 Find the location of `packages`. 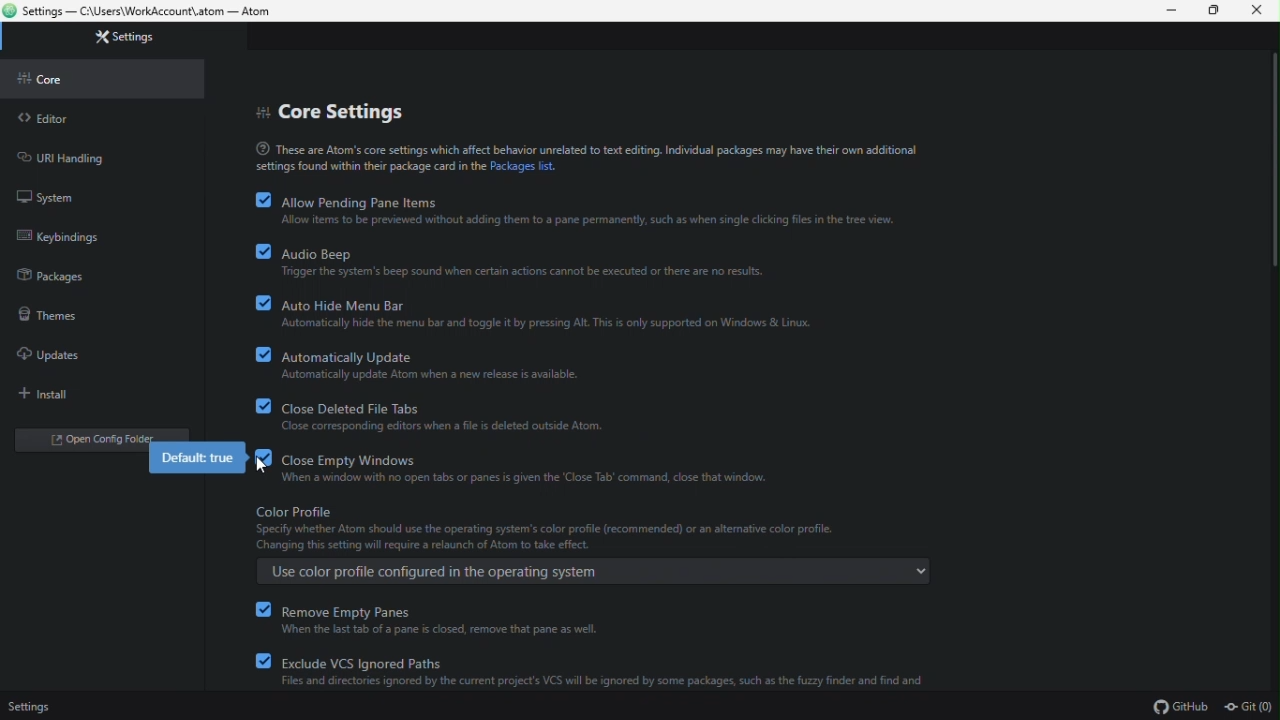

packages is located at coordinates (48, 274).